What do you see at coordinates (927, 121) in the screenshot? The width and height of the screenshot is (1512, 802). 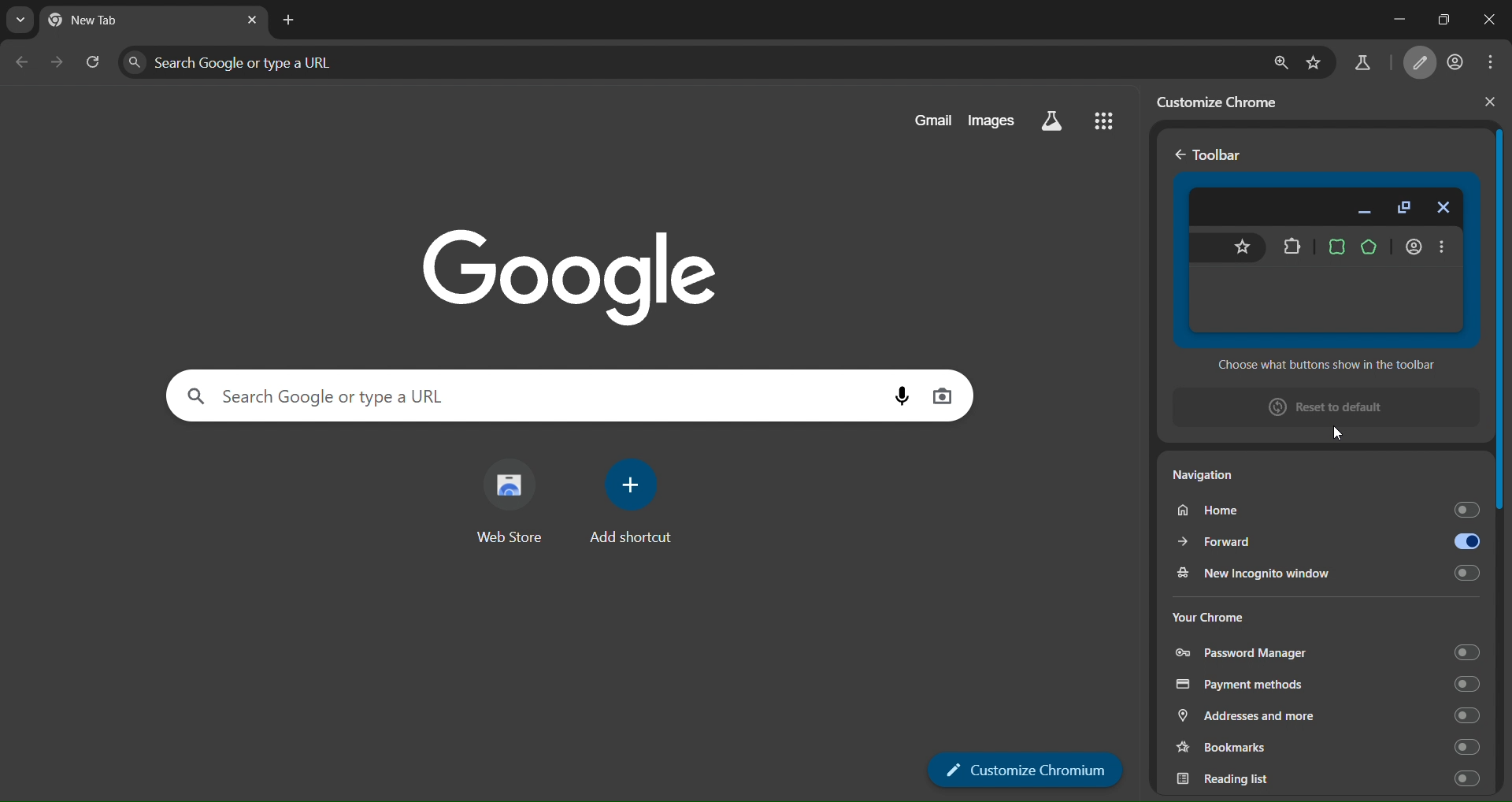 I see `gmail` at bounding box center [927, 121].